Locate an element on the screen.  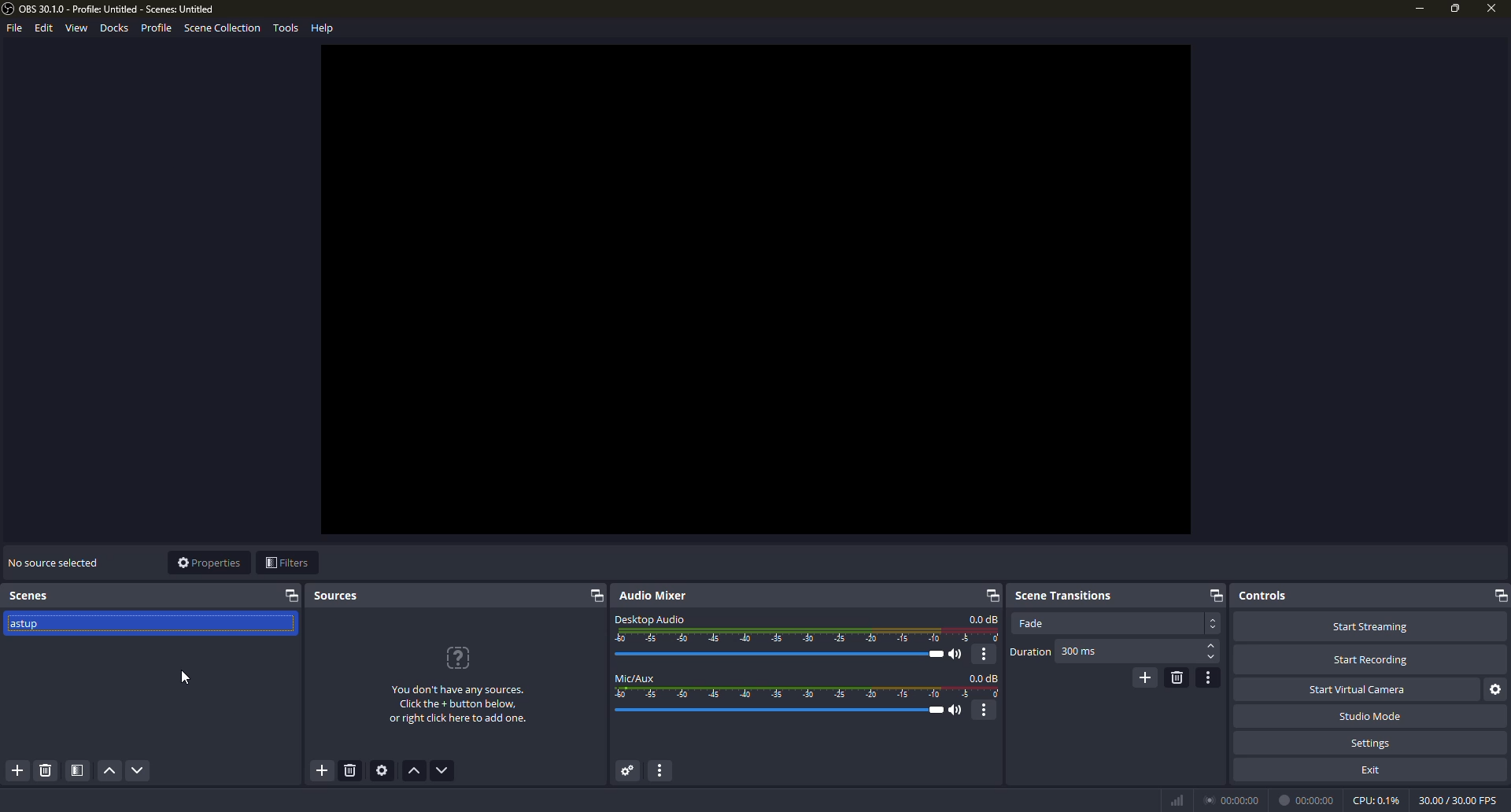
controls is located at coordinates (1263, 595).